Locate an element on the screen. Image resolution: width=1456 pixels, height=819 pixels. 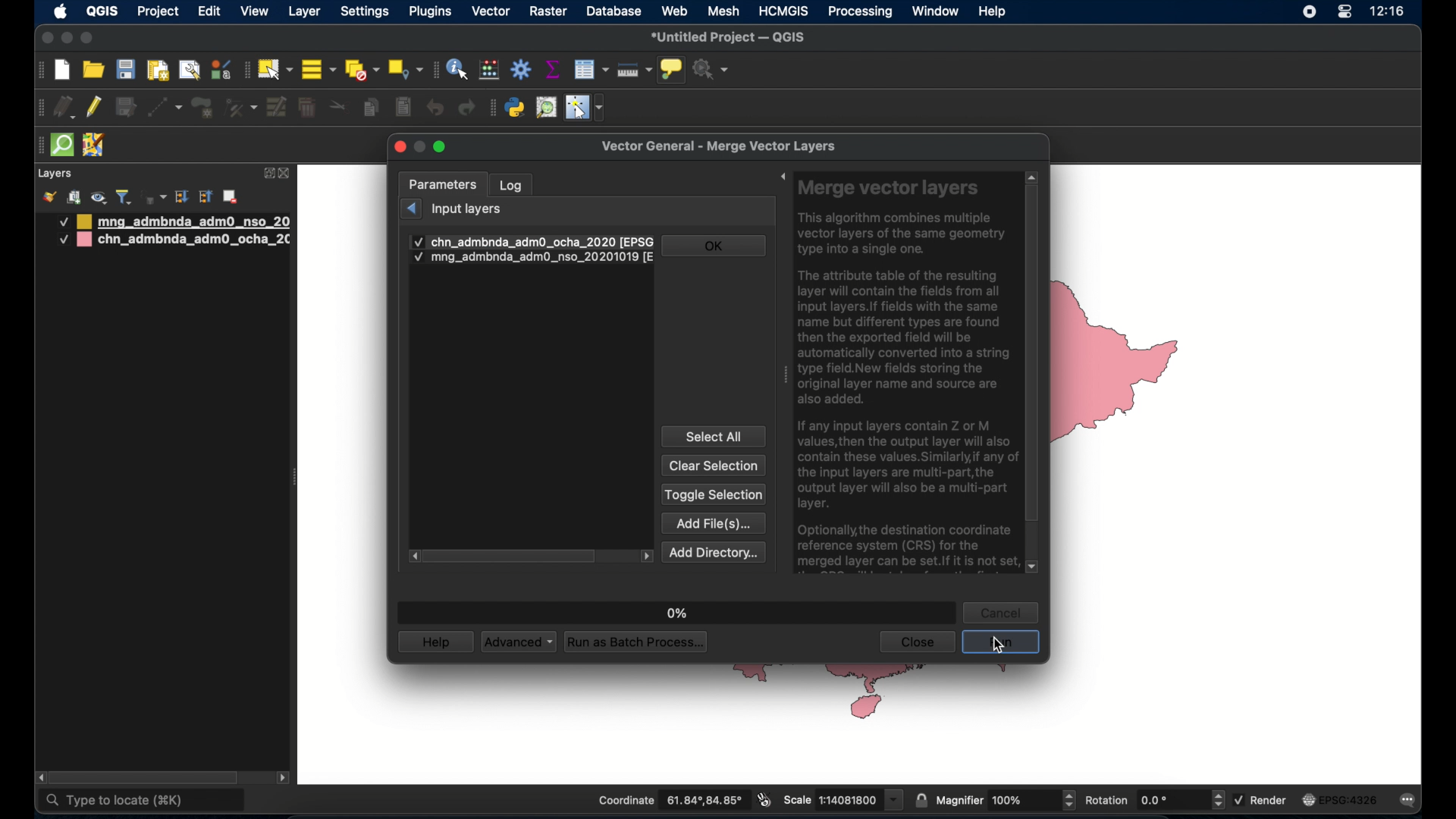
plugins is located at coordinates (433, 11).